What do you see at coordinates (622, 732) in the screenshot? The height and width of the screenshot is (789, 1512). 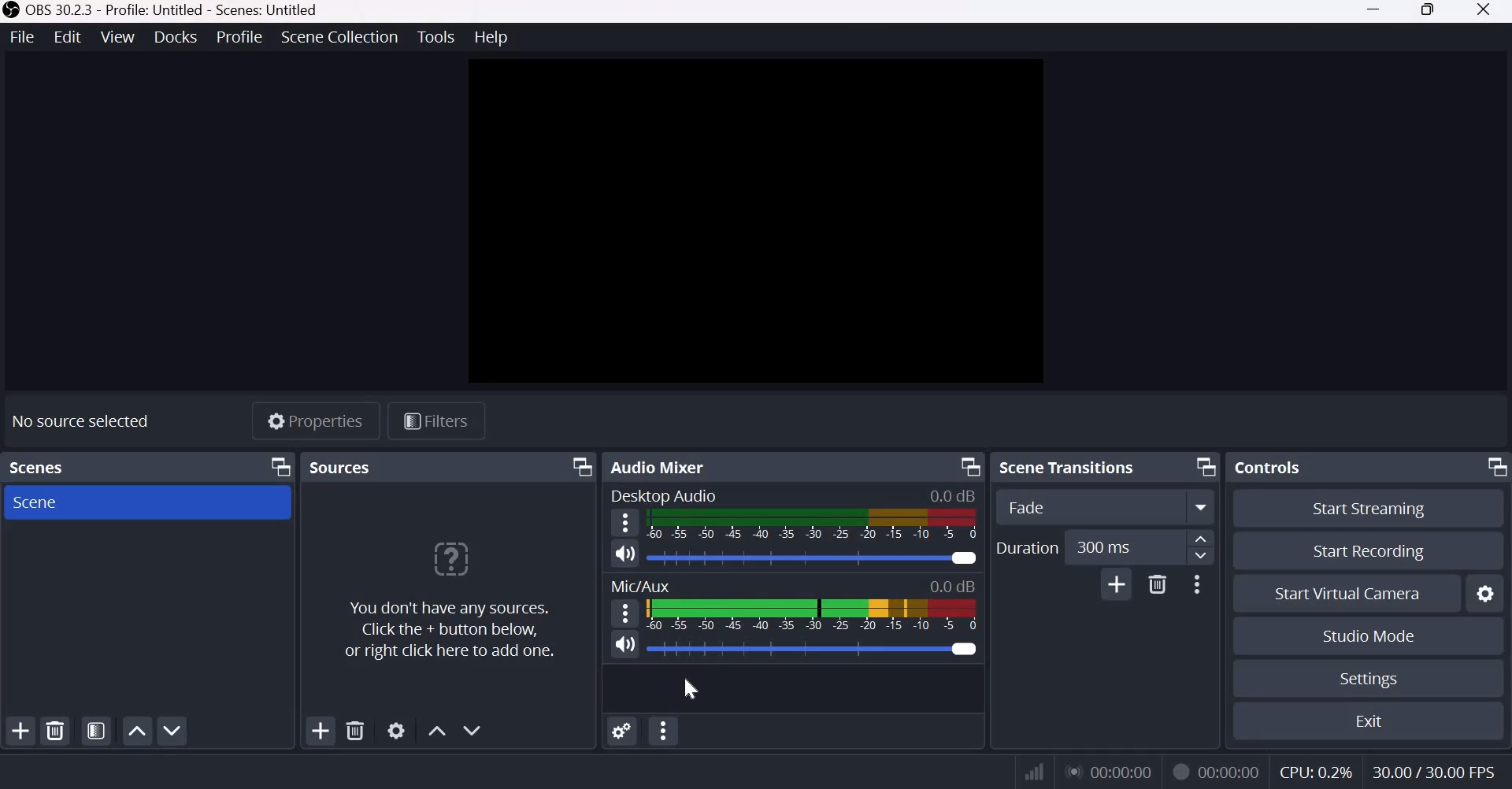 I see `Audio Mixer Menu` at bounding box center [622, 732].